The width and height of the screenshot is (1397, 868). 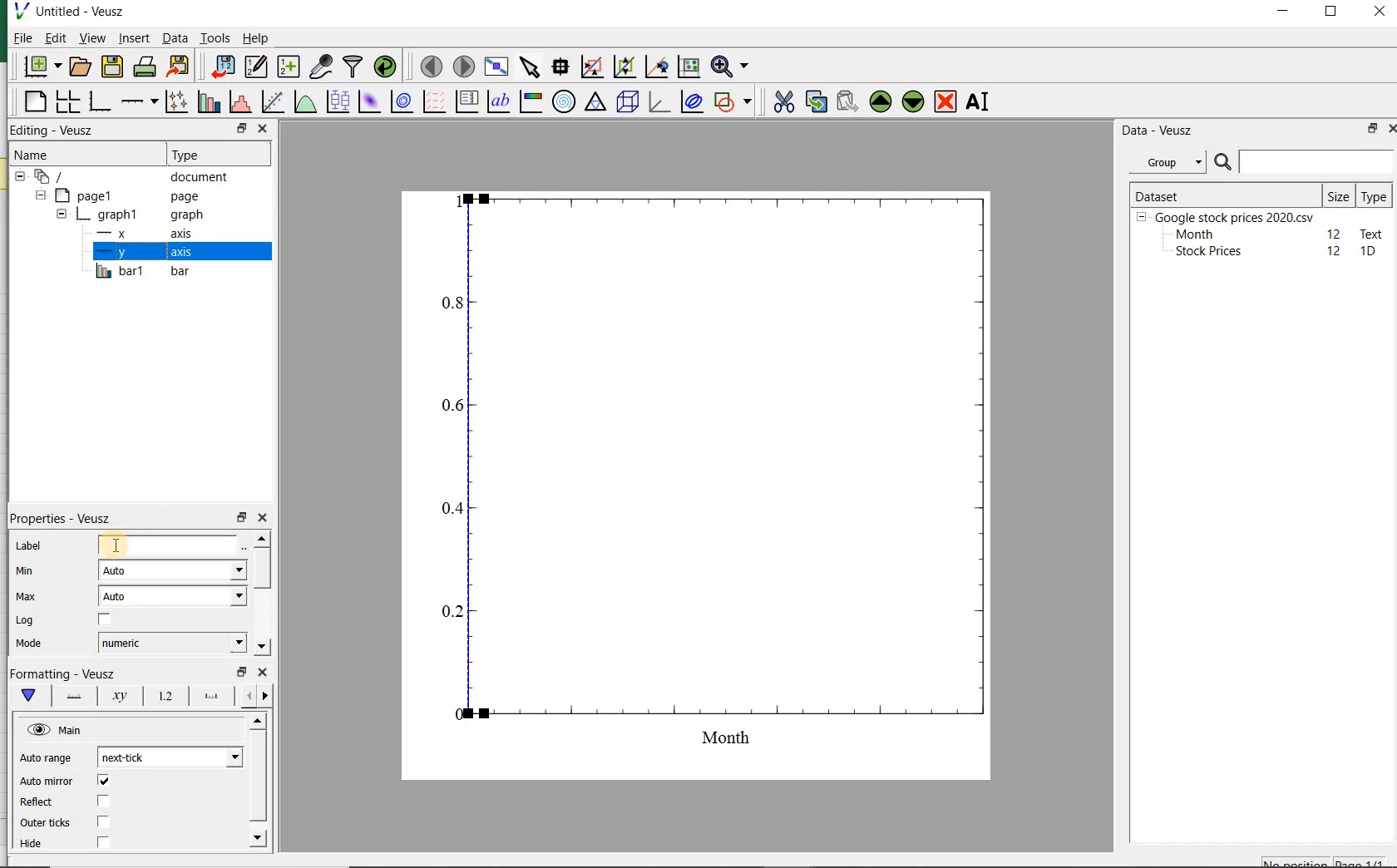 What do you see at coordinates (659, 103) in the screenshot?
I see `3d graph` at bounding box center [659, 103].